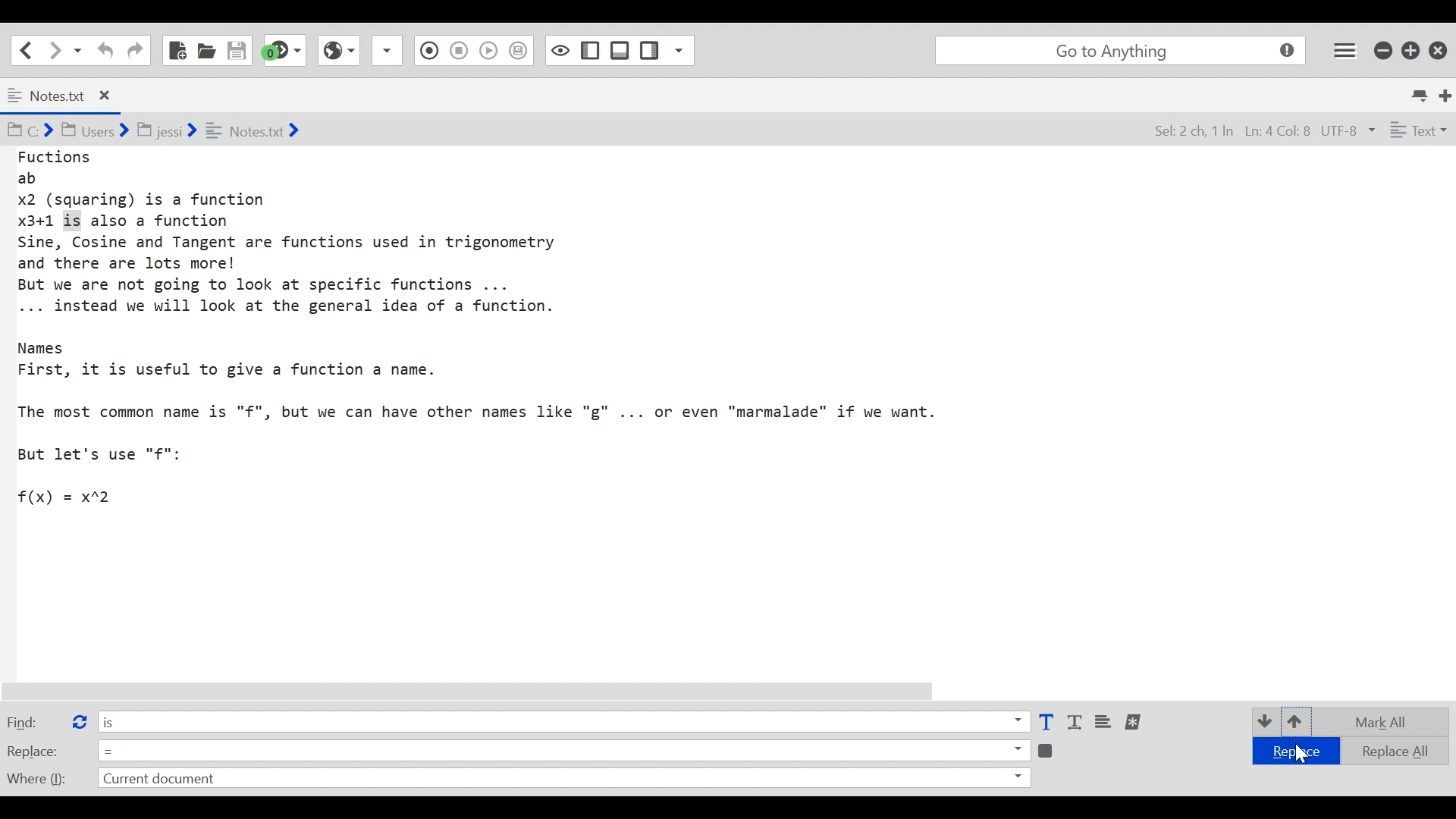 Image resolution: width=1456 pixels, height=819 pixels. What do you see at coordinates (388, 50) in the screenshot?
I see `Recording Macro` at bounding box center [388, 50].